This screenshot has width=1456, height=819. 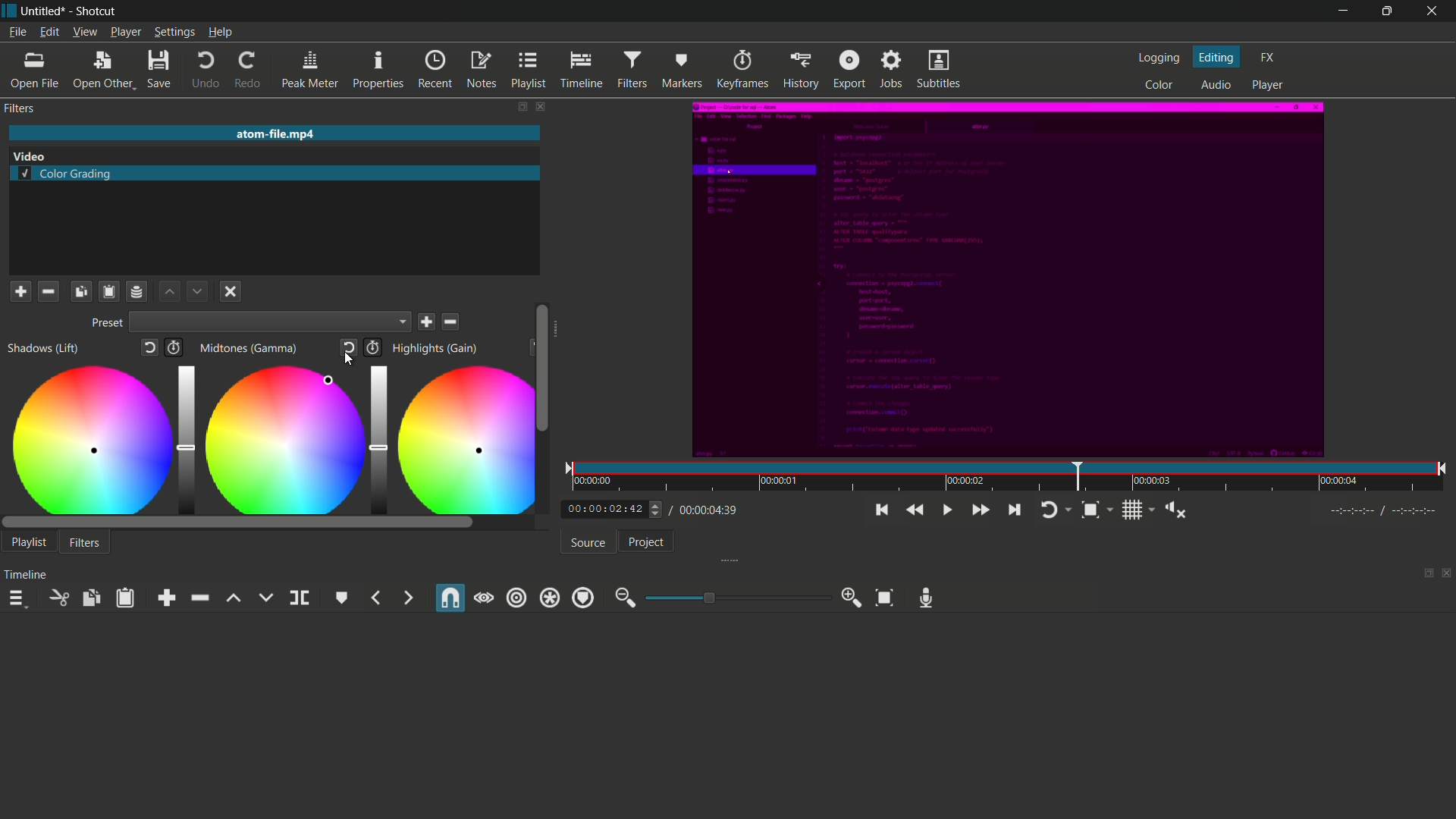 I want to click on reset to default, so click(x=350, y=348).